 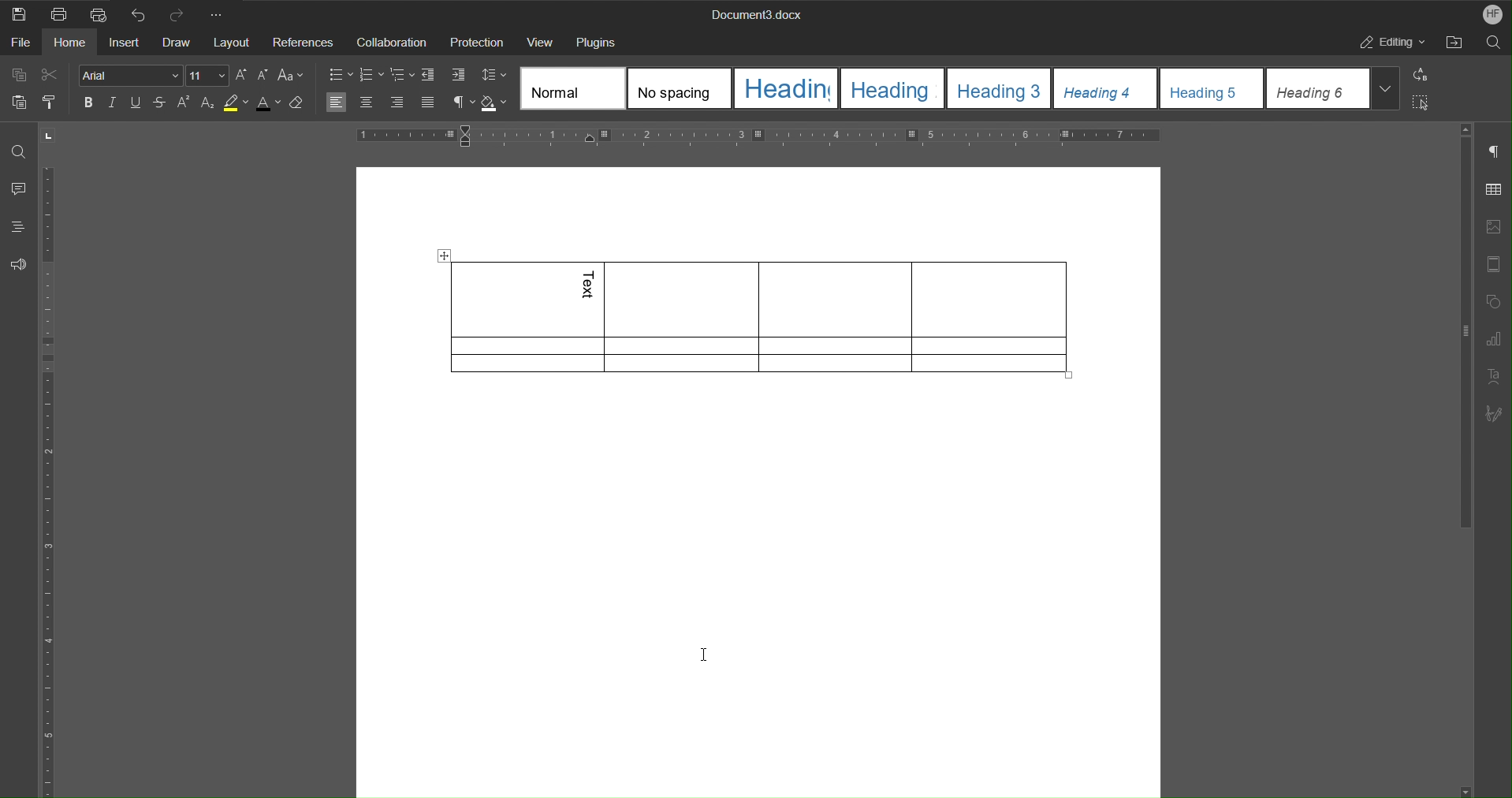 I want to click on Home, so click(x=71, y=43).